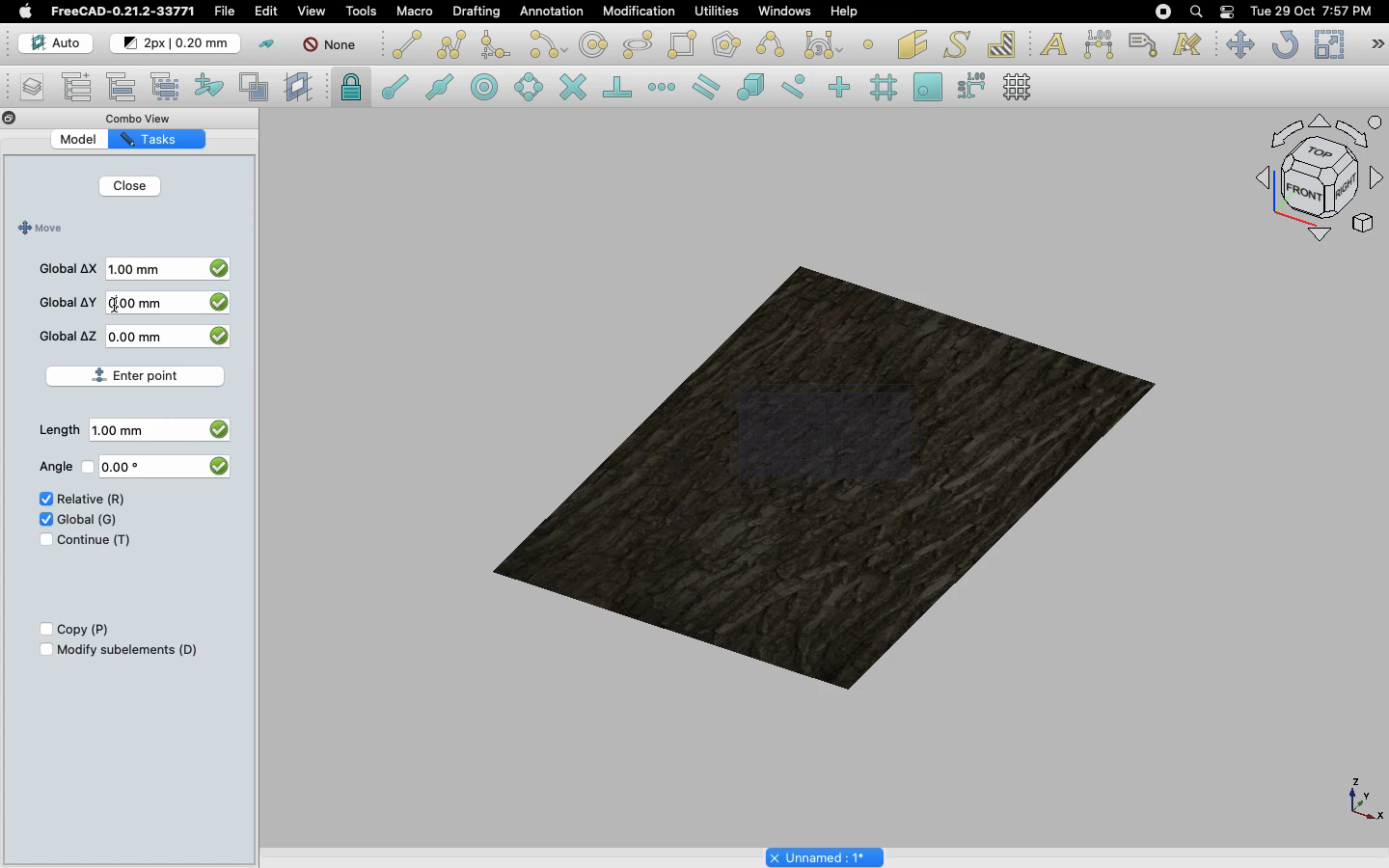 The image size is (1389, 868). Describe the element at coordinates (1019, 87) in the screenshot. I see `Toggle grid` at that location.